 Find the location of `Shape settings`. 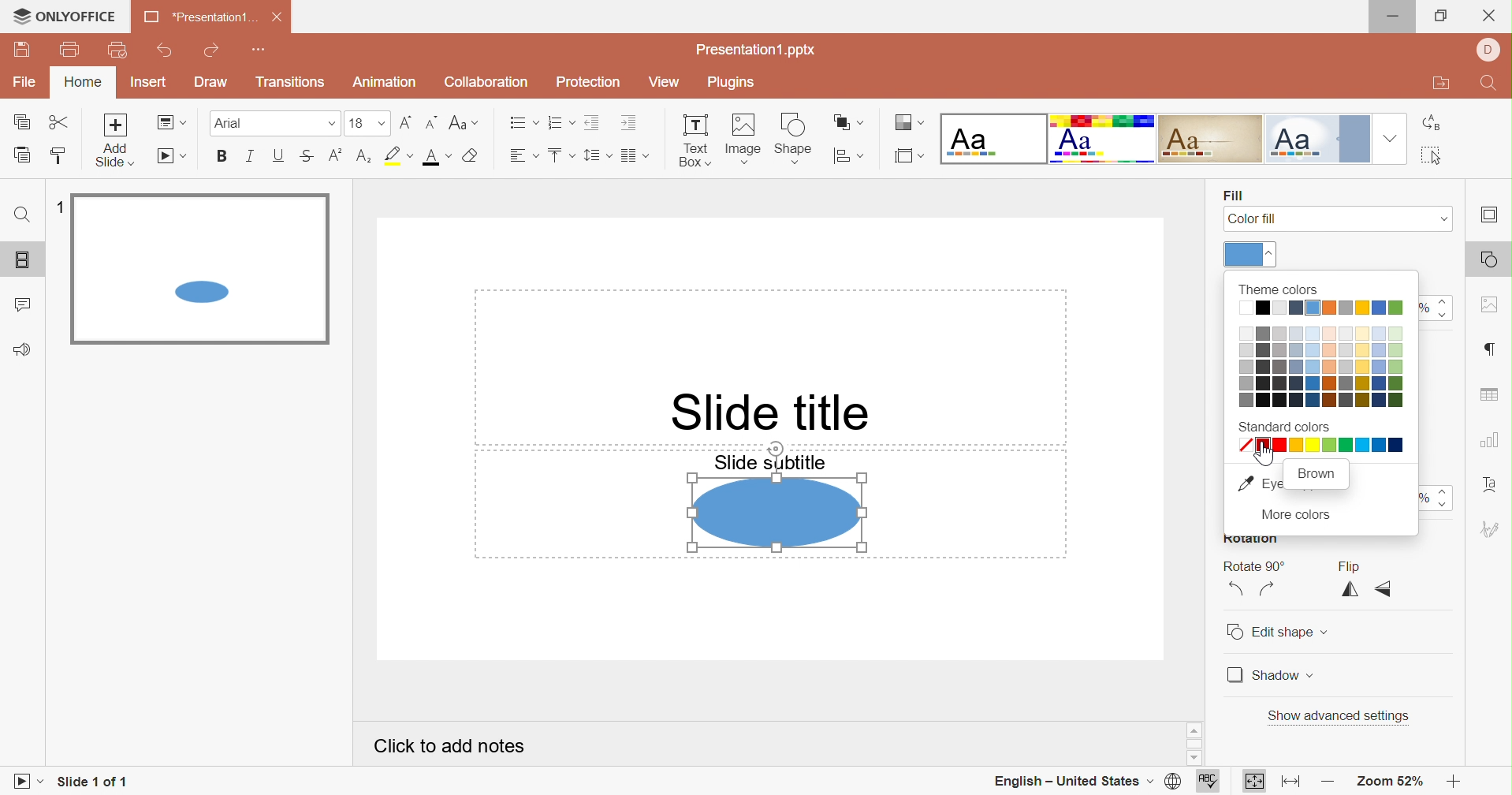

Shape settings is located at coordinates (1487, 262).